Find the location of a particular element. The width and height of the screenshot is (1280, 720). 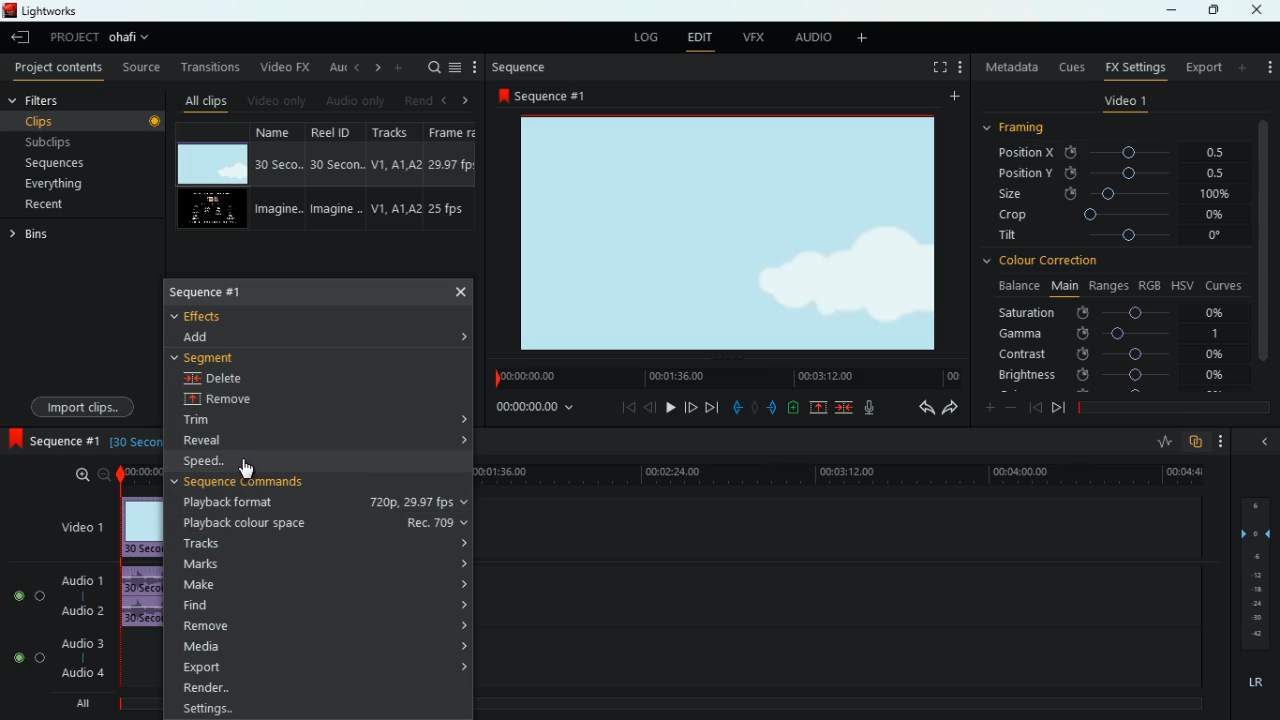

sequence is located at coordinates (51, 439).